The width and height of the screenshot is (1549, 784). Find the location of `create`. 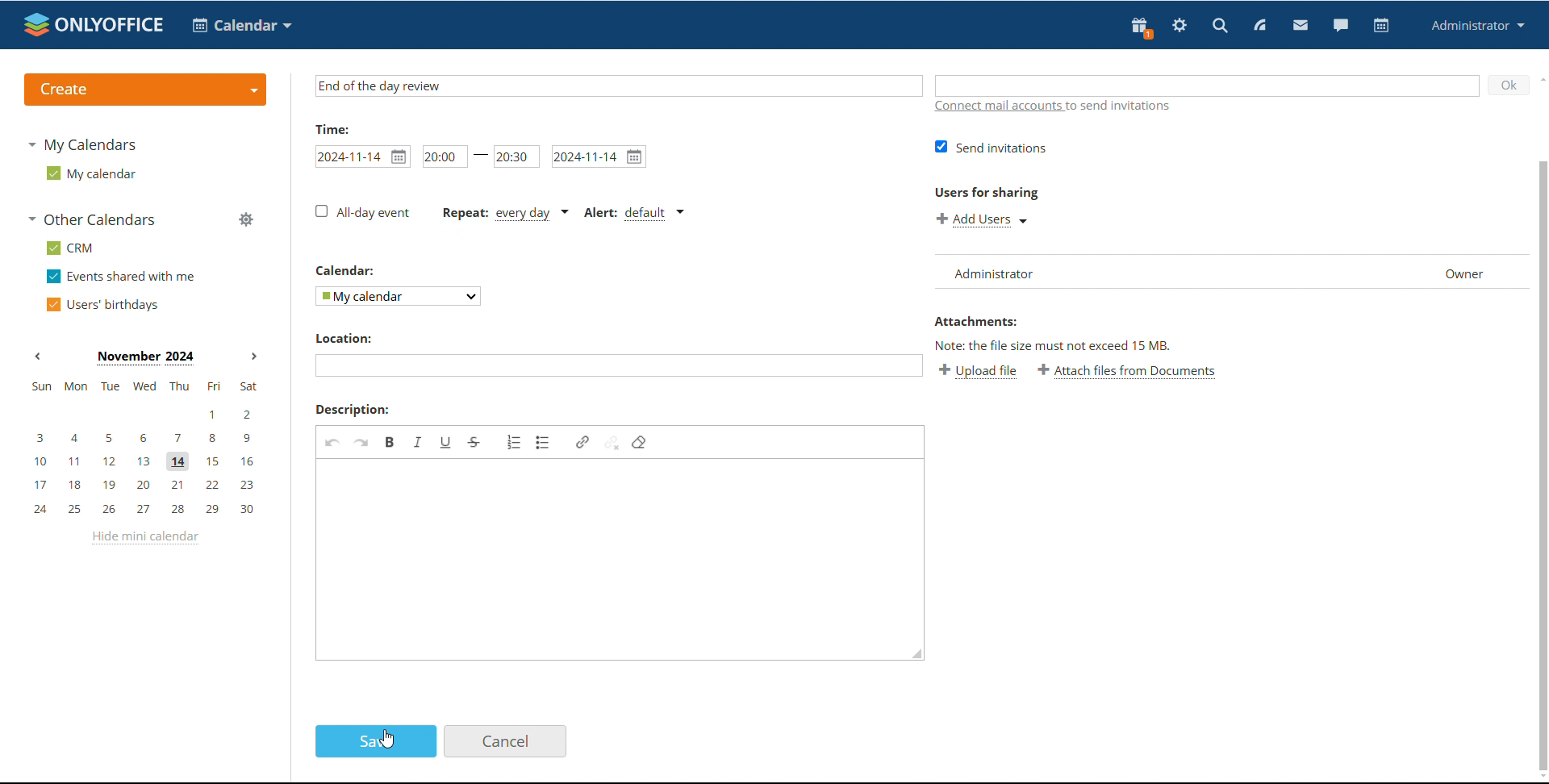

create is located at coordinates (145, 90).